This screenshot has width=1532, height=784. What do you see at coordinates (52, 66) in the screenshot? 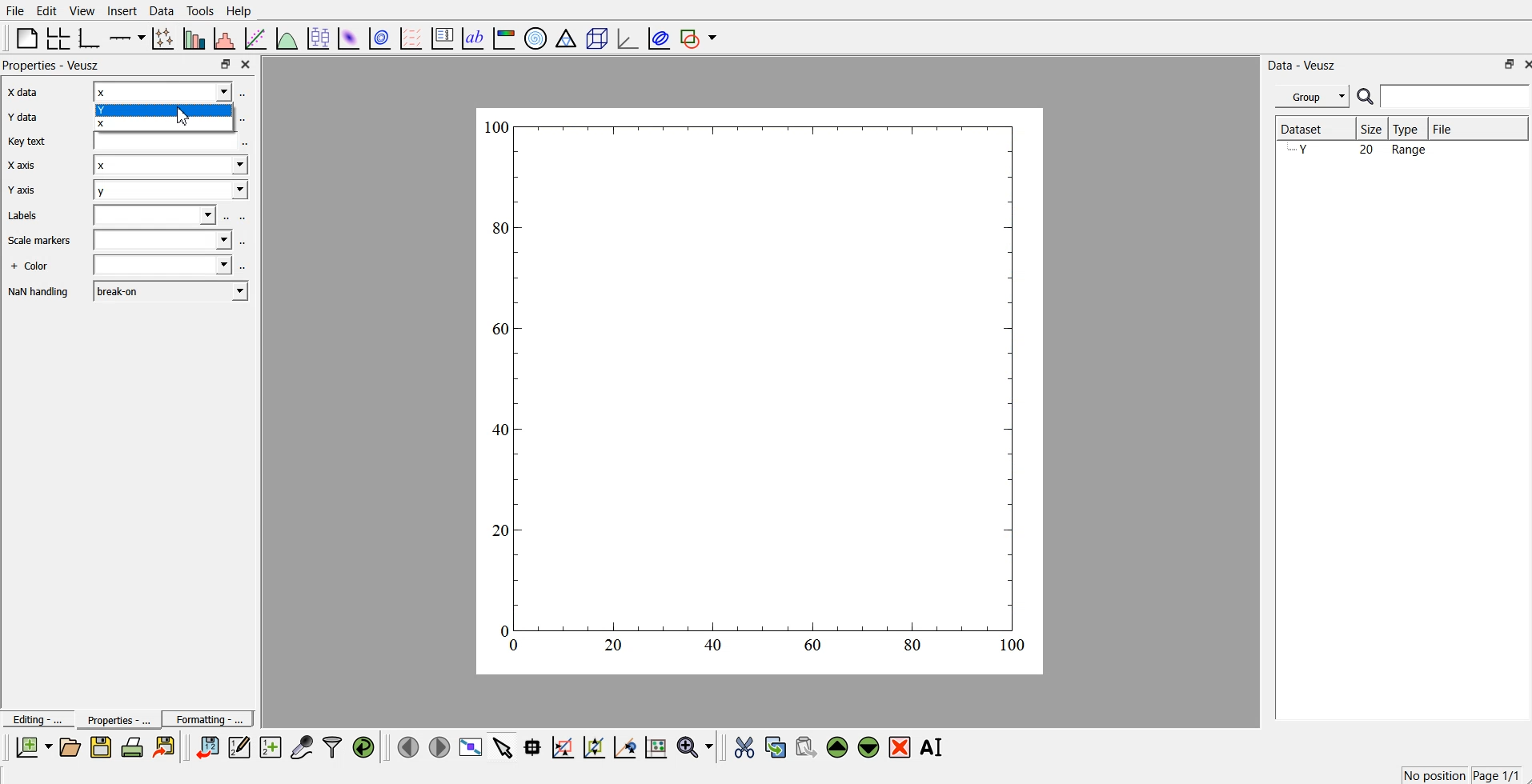
I see `Properties - Veusz` at bounding box center [52, 66].